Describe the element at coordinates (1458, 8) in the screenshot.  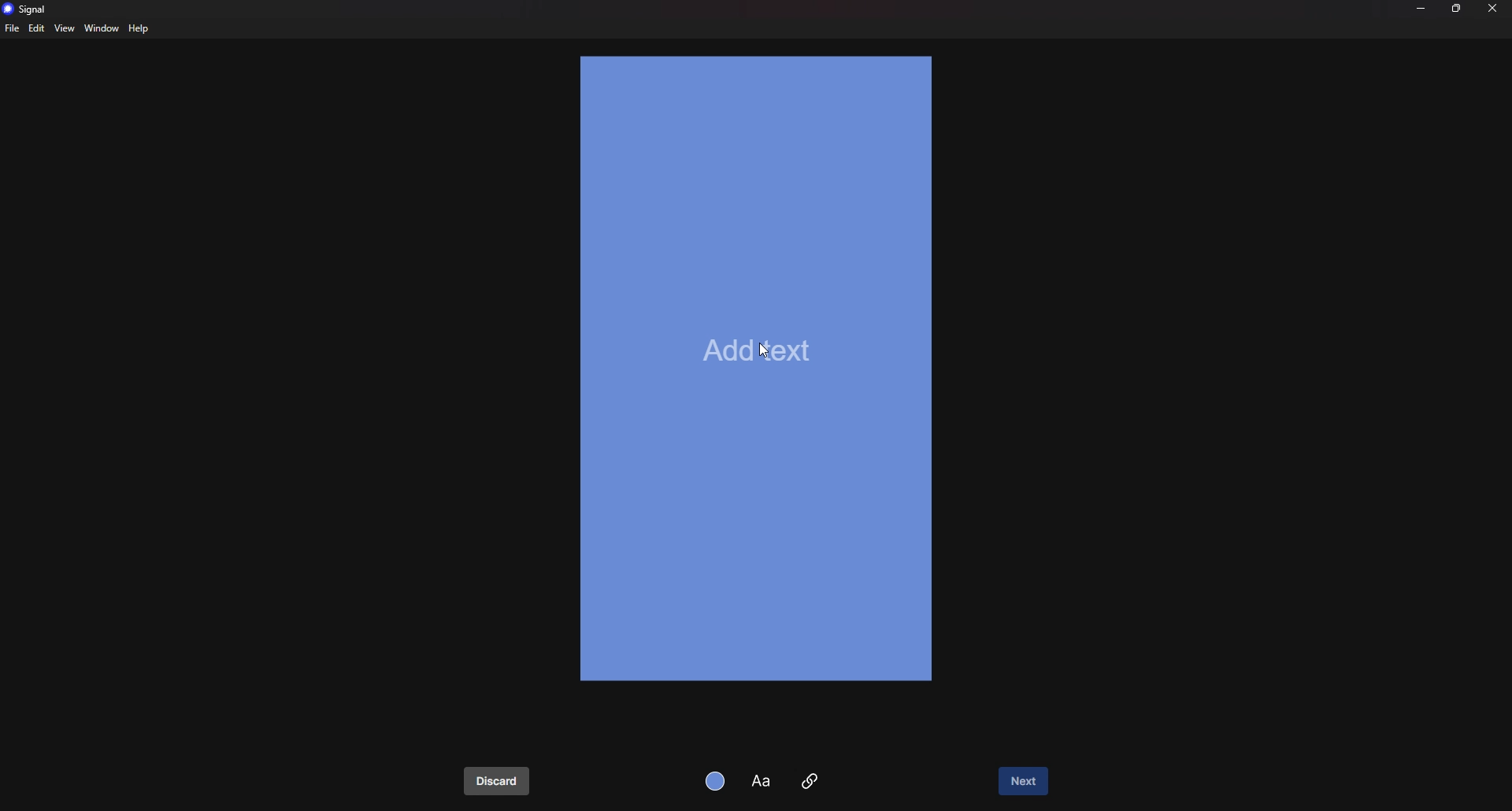
I see `resize` at that location.